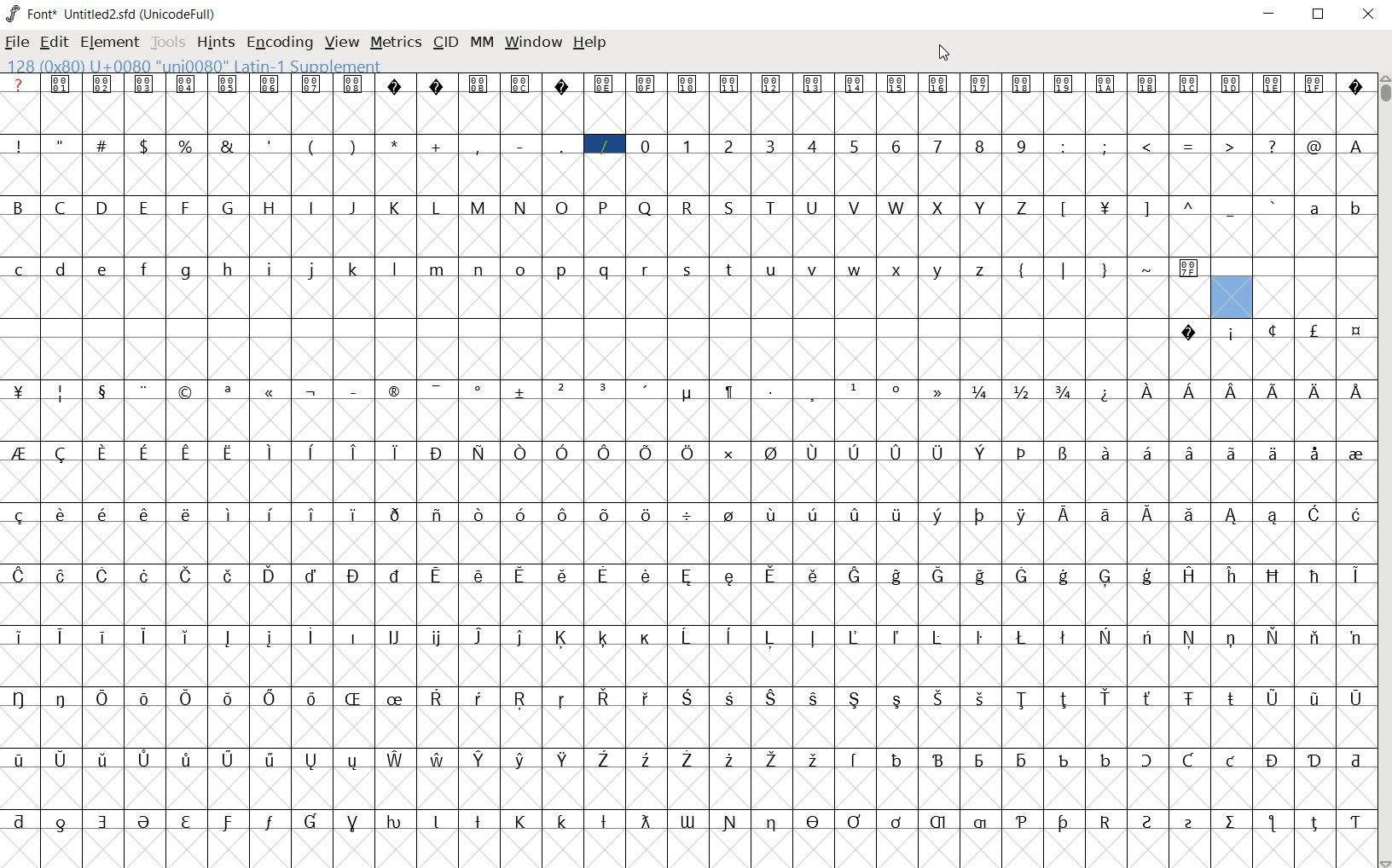 This screenshot has width=1392, height=868. Describe the element at coordinates (271, 393) in the screenshot. I see `glyph` at that location.